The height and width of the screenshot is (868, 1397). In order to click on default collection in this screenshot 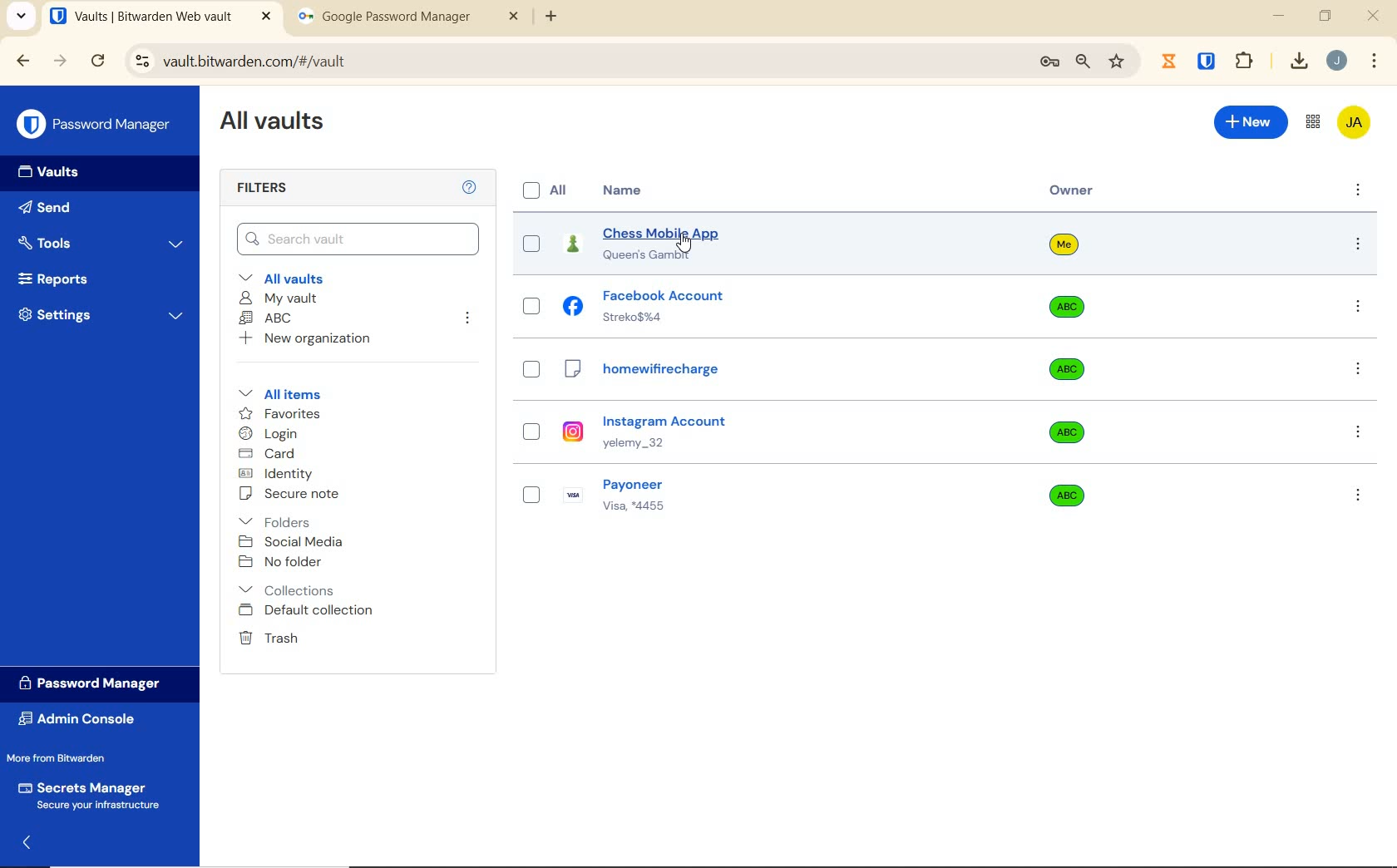, I will do `click(309, 611)`.